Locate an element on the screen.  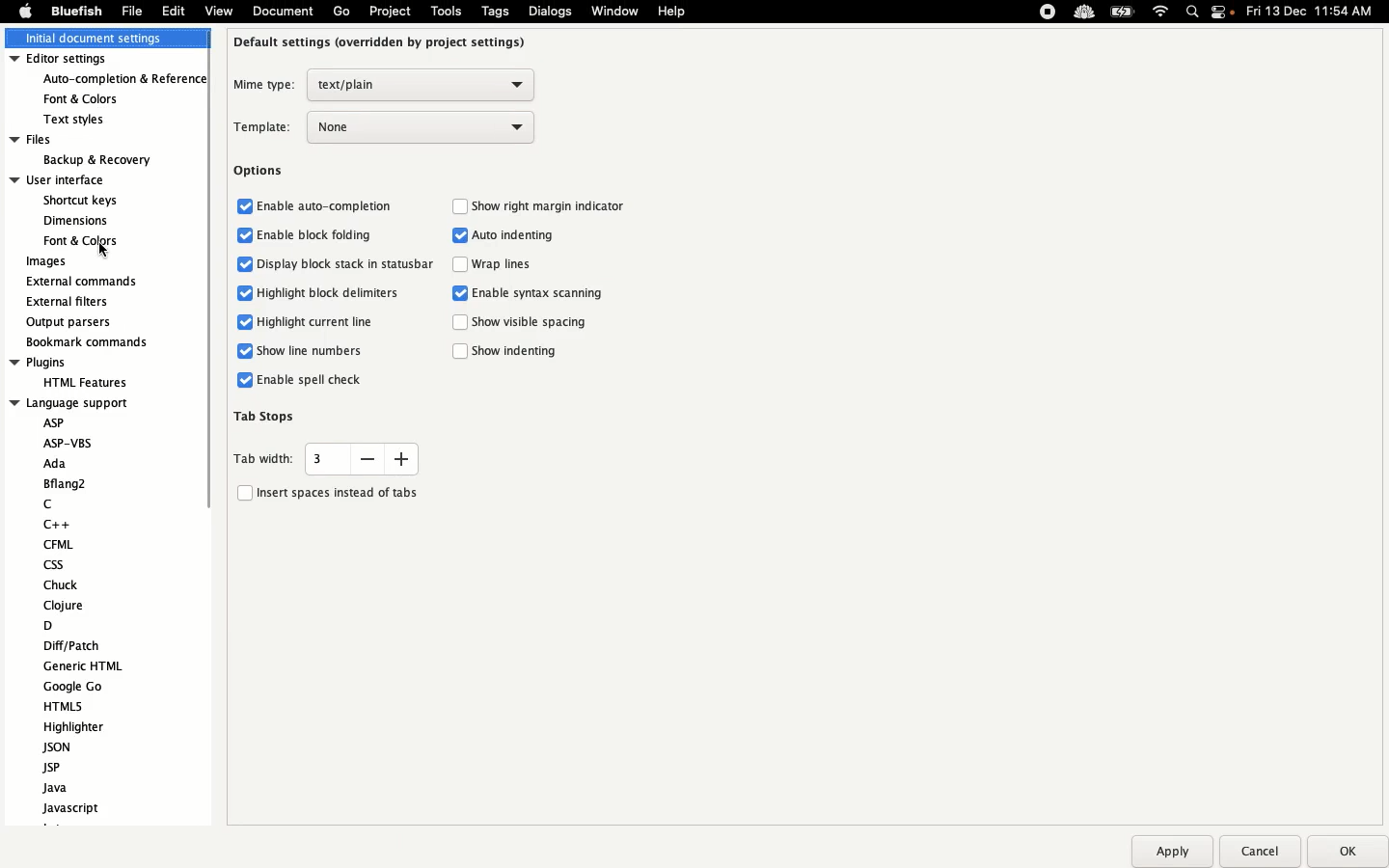
Auto indenting is located at coordinates (507, 236).